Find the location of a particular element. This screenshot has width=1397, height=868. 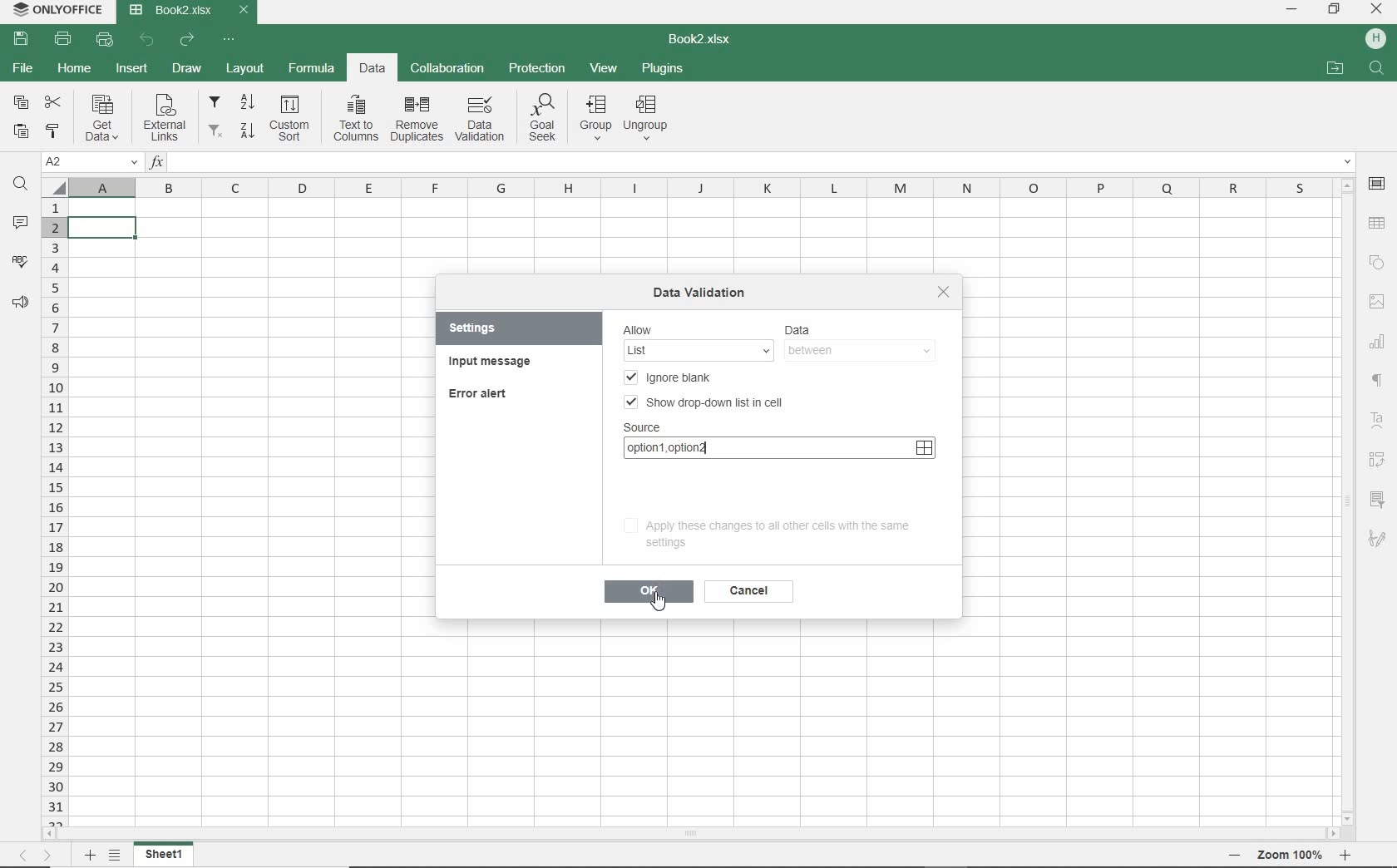

REDO is located at coordinates (187, 41).